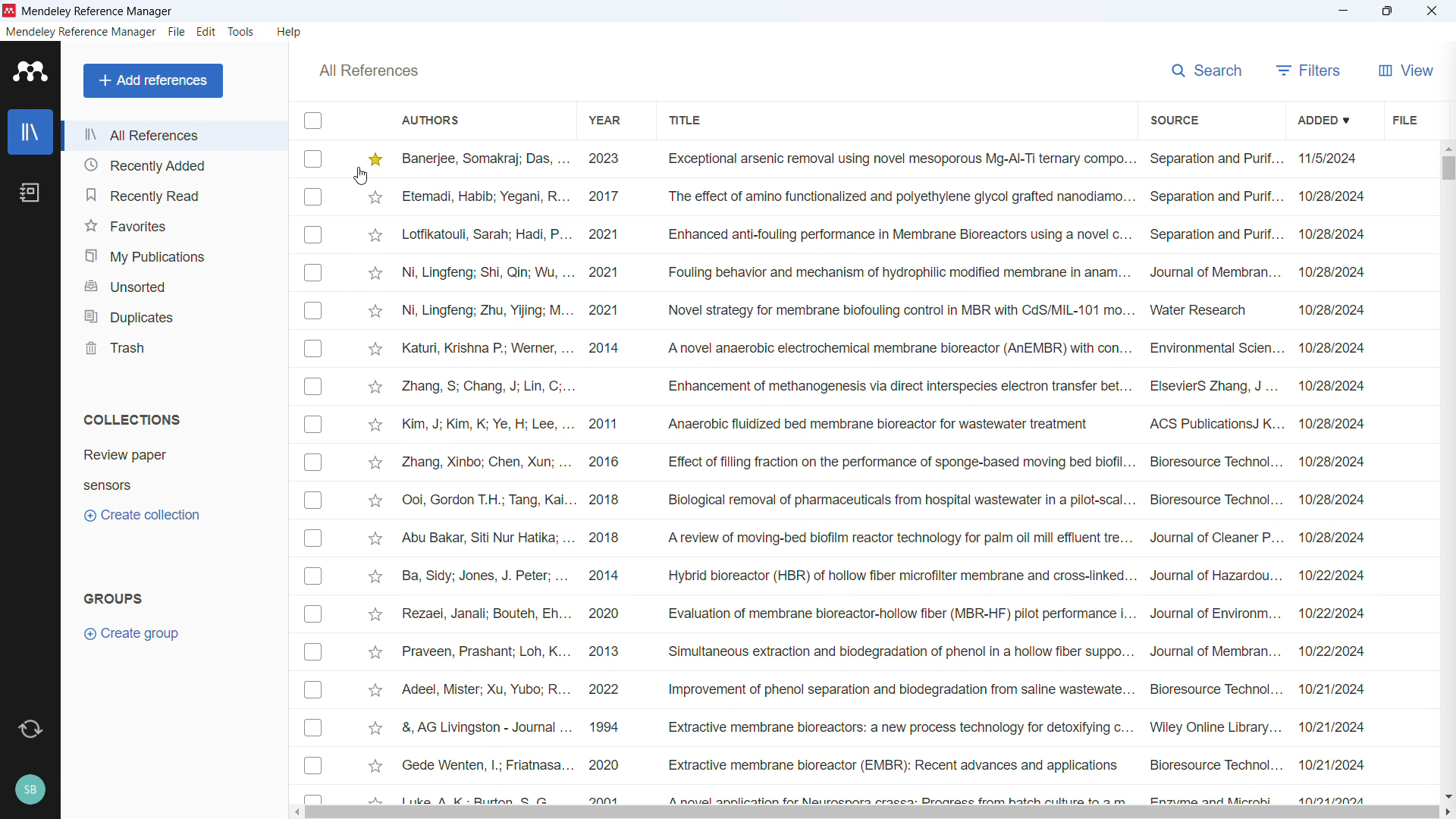 This screenshot has width=1456, height=819. I want to click on Select all , so click(312, 121).